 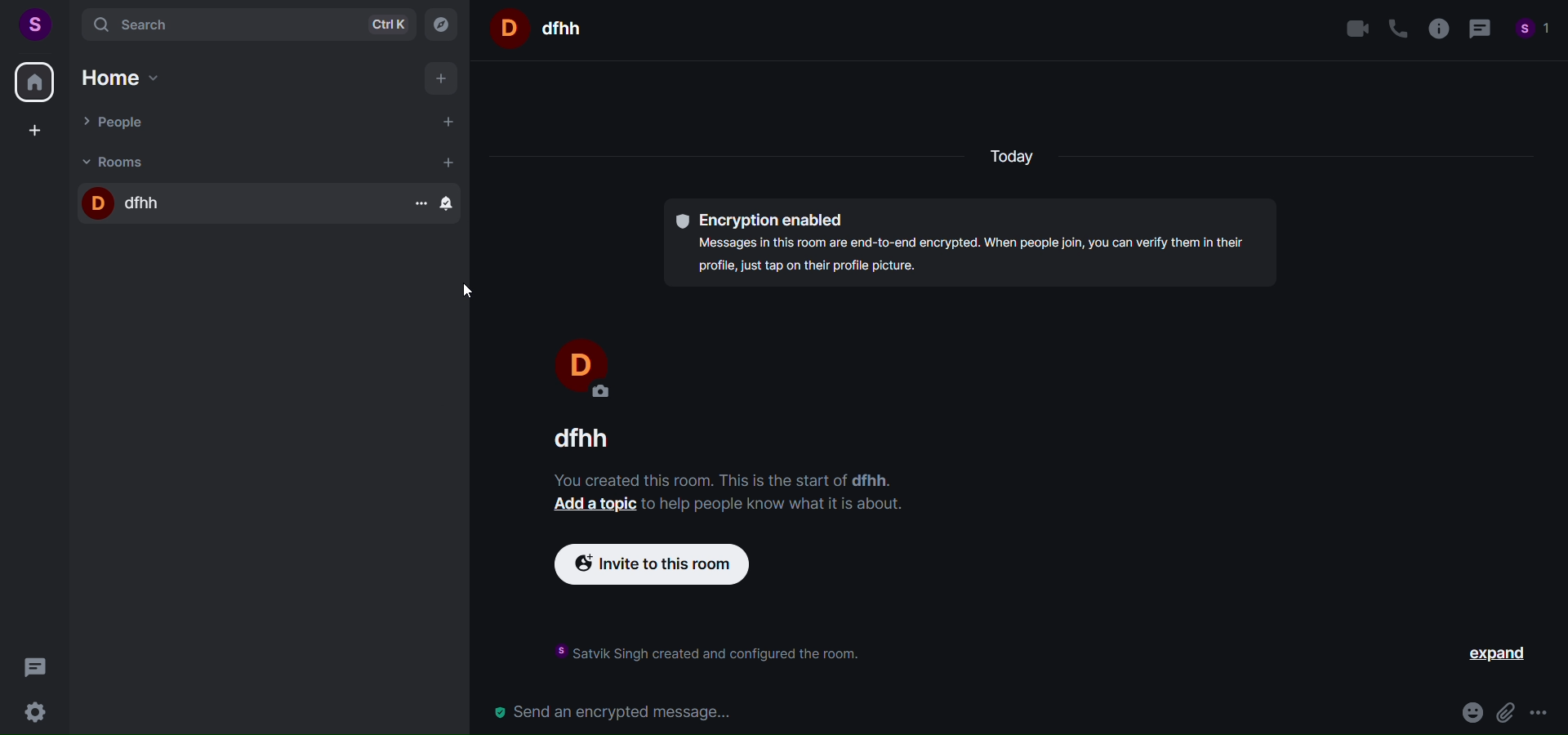 I want to click on start chat, so click(x=452, y=122).